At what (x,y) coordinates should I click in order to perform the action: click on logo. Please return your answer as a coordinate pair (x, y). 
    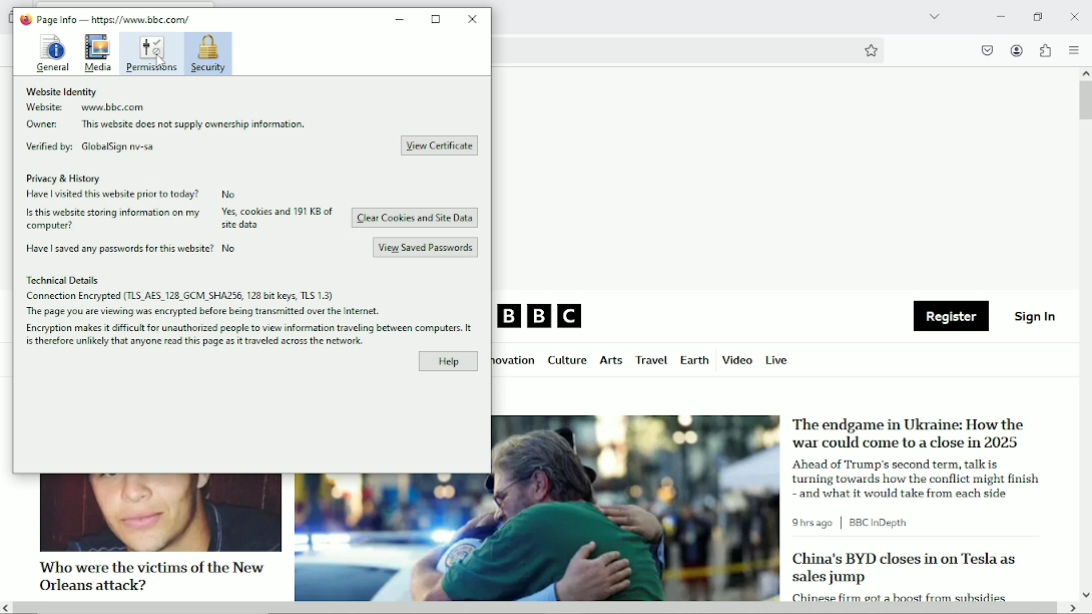
    Looking at the image, I should click on (24, 19).